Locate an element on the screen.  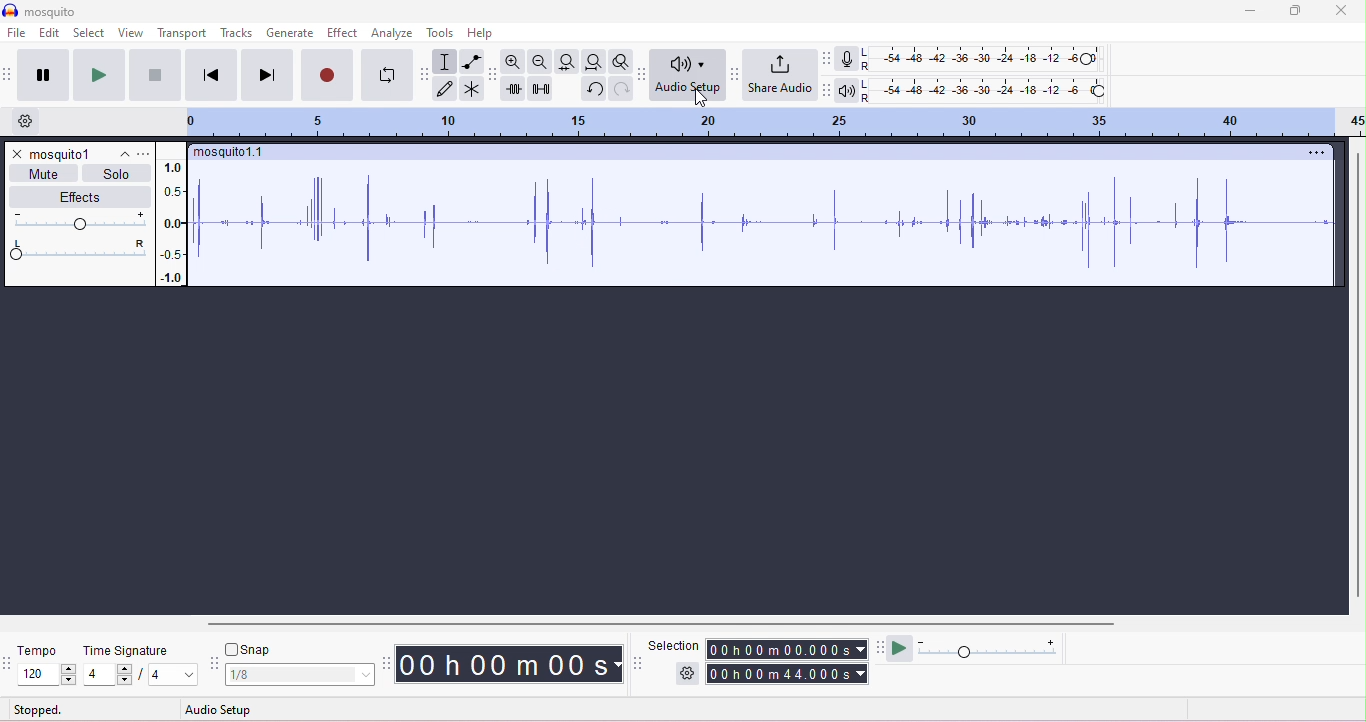
stopped is located at coordinates (38, 711).